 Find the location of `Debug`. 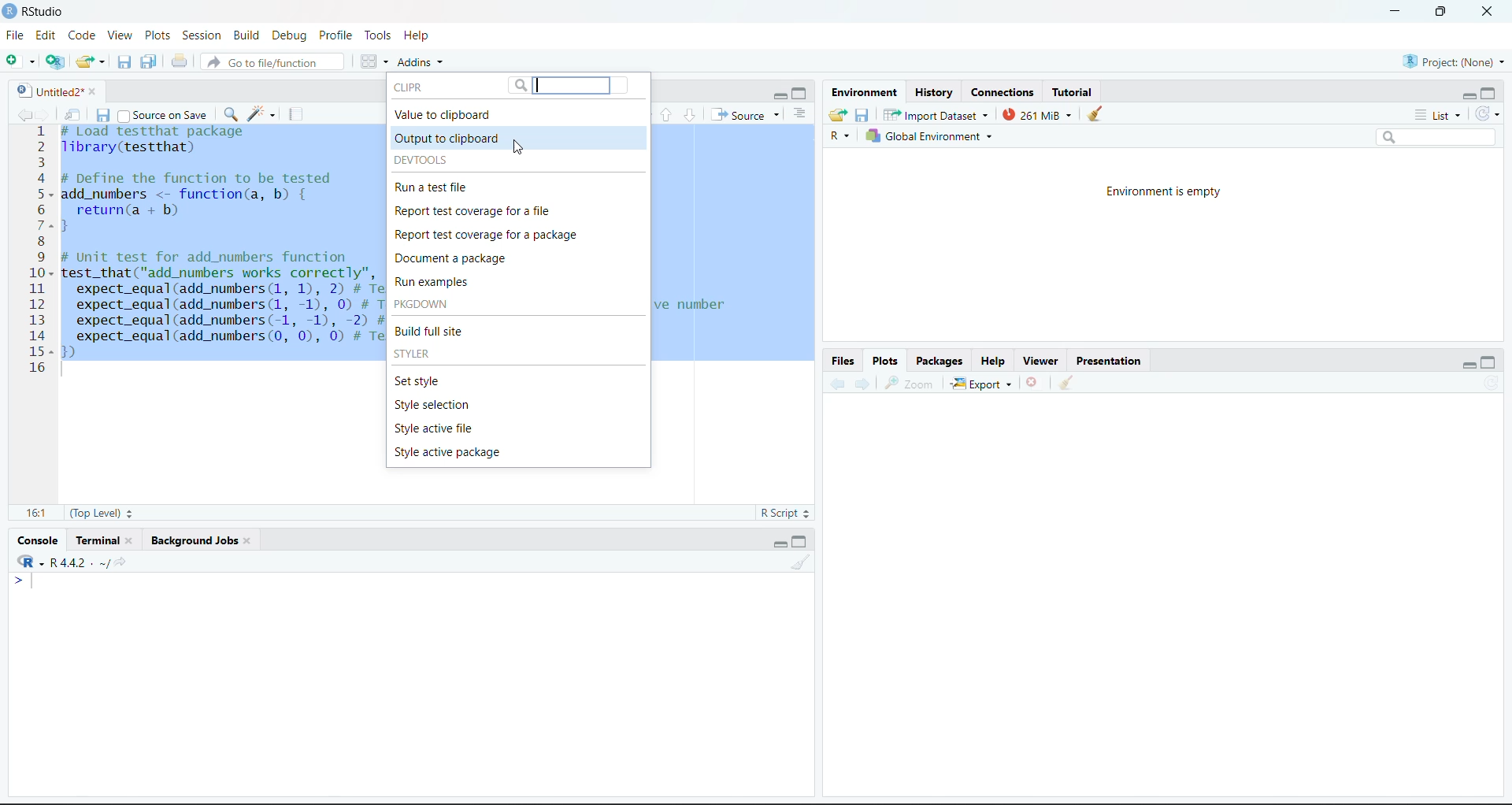

Debug is located at coordinates (289, 36).